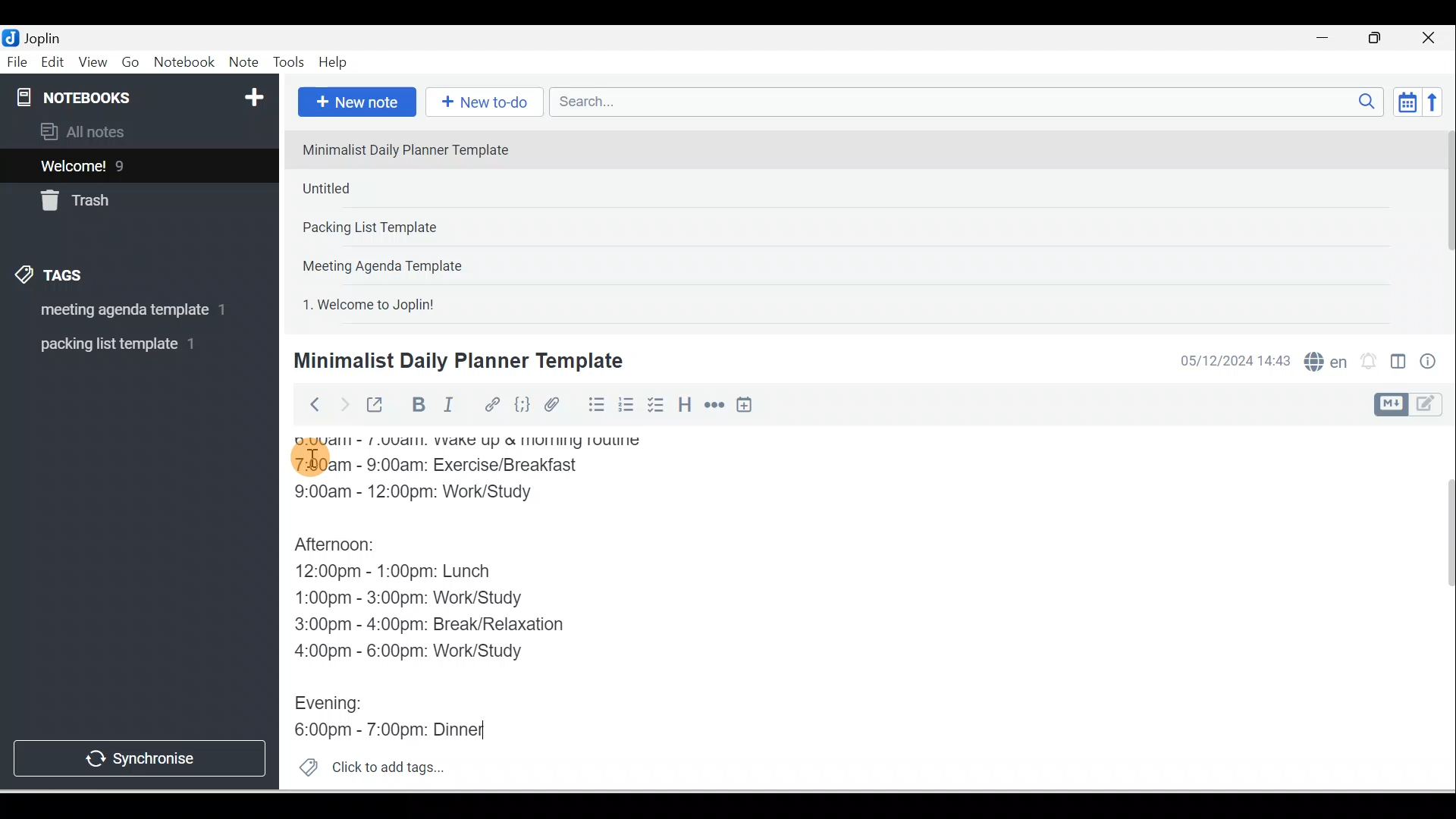 The image size is (1456, 819). What do you see at coordinates (308, 404) in the screenshot?
I see `Back` at bounding box center [308, 404].